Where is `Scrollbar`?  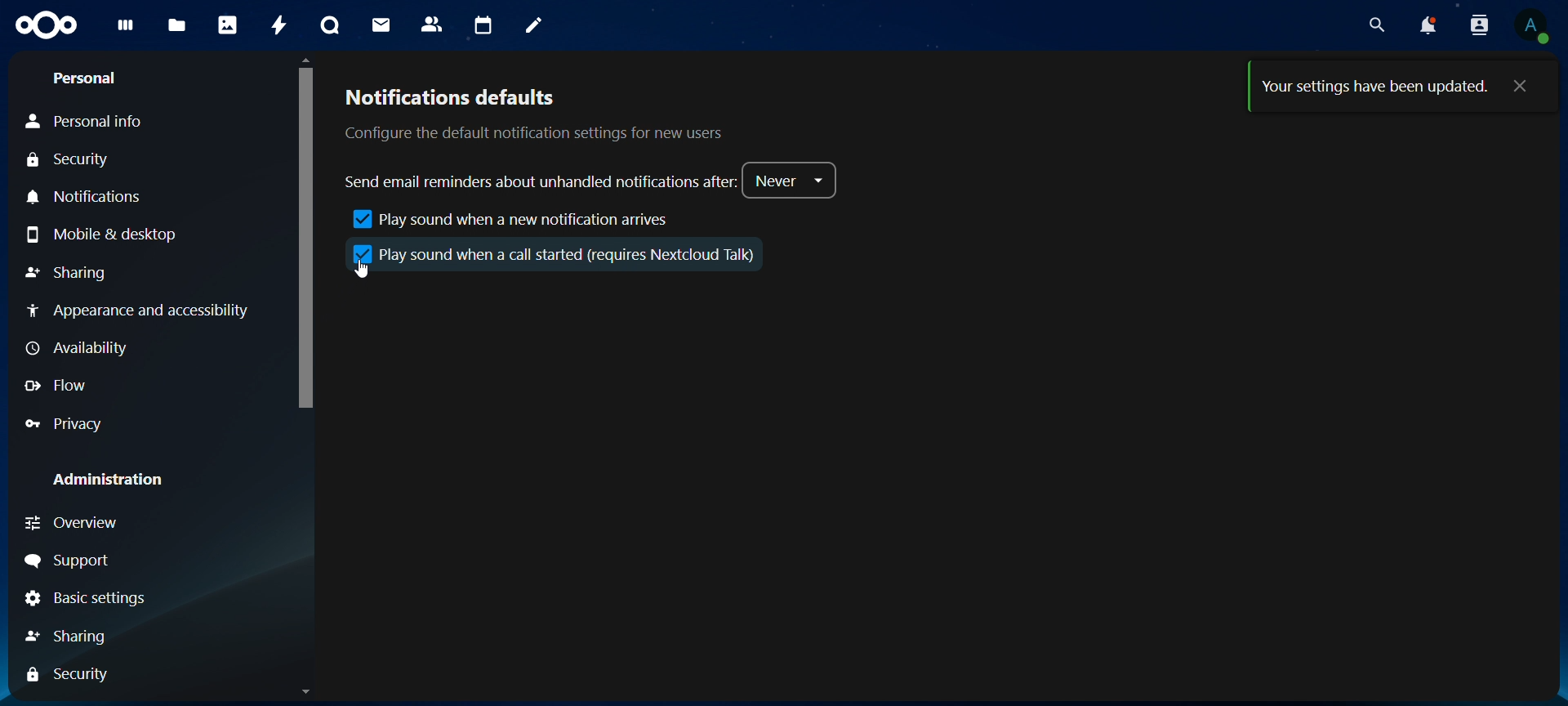
Scrollbar is located at coordinates (297, 378).